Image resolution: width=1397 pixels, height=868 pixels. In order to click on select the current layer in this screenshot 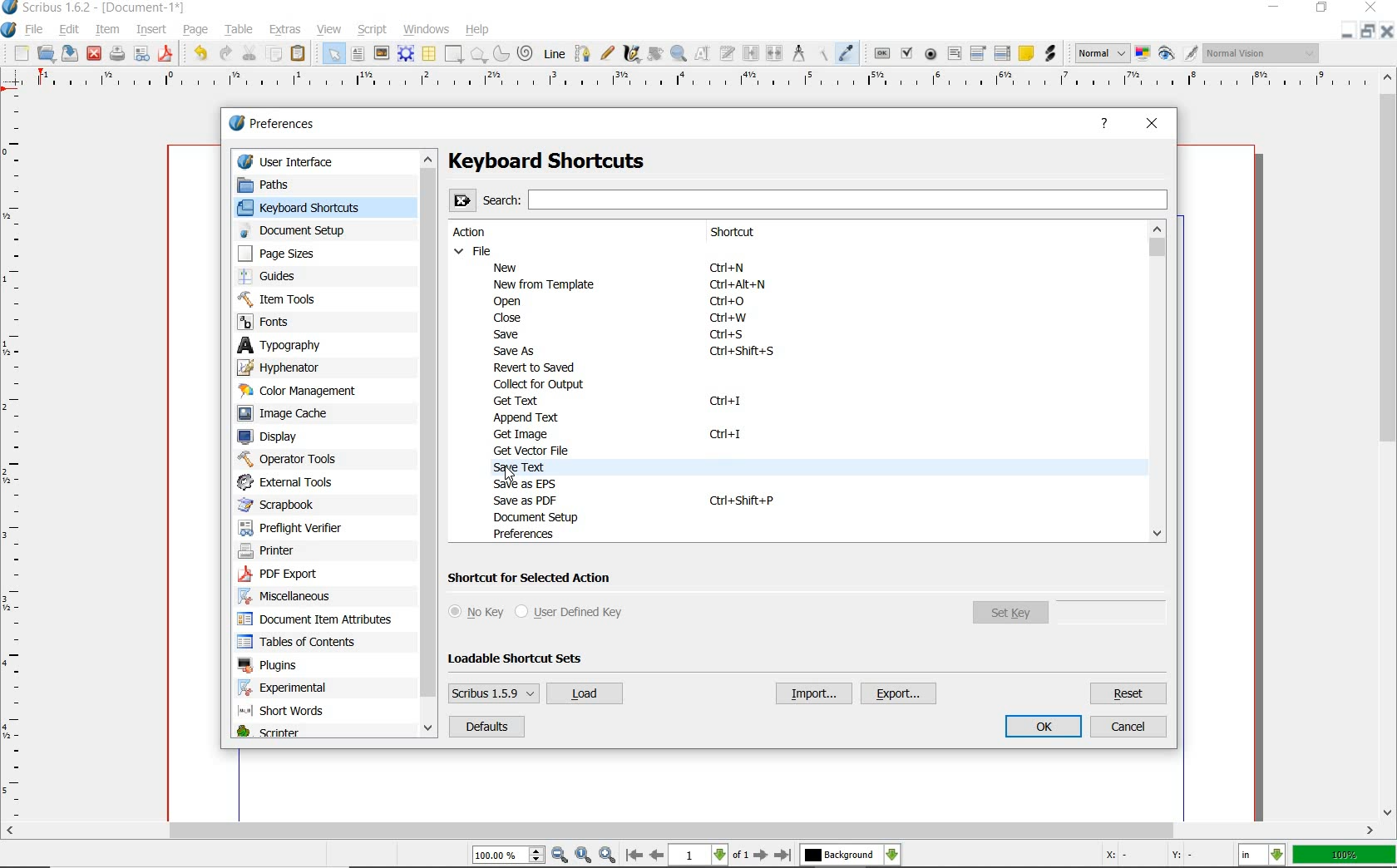, I will do `click(850, 856)`.